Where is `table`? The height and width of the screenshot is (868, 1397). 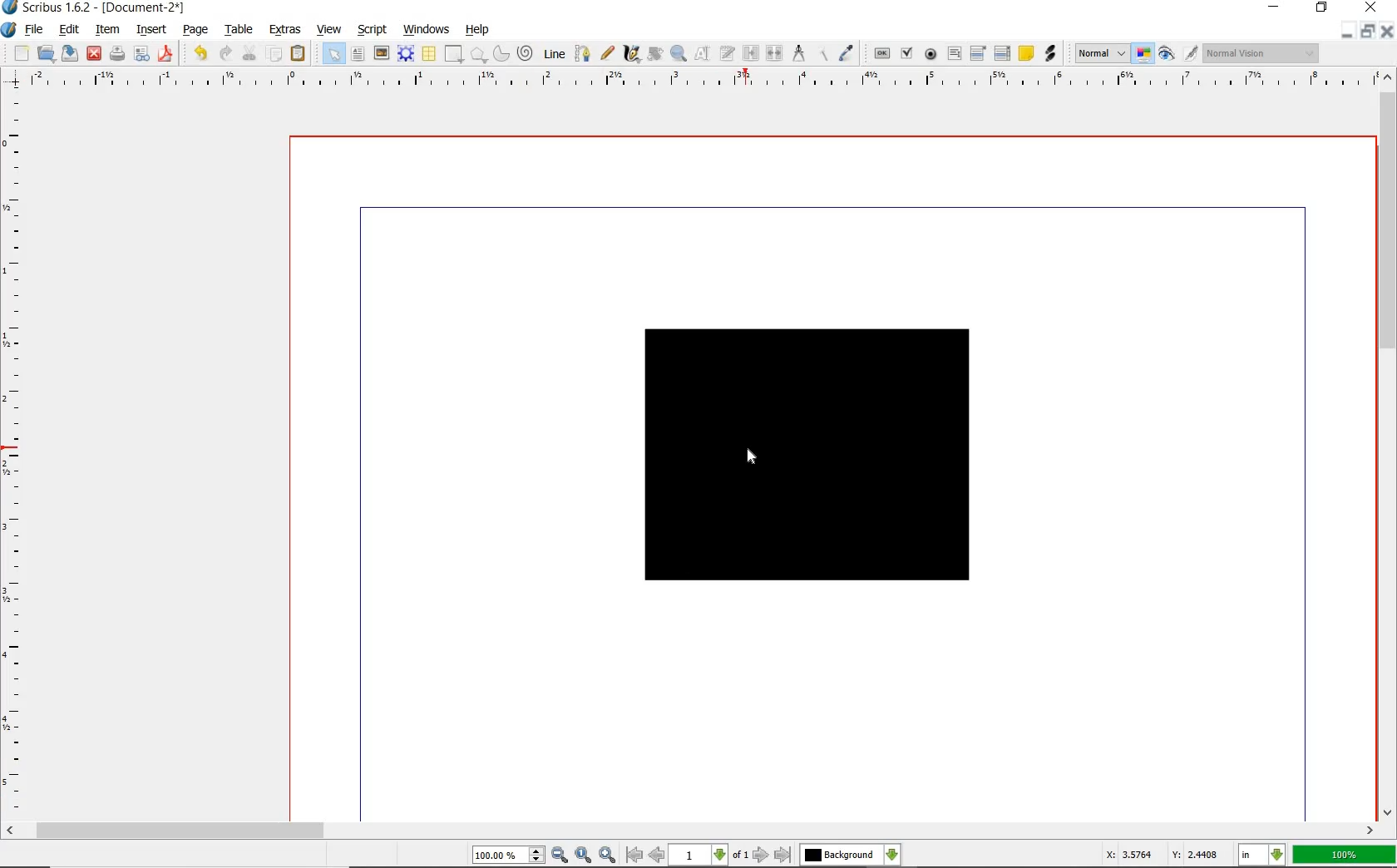 table is located at coordinates (239, 31).